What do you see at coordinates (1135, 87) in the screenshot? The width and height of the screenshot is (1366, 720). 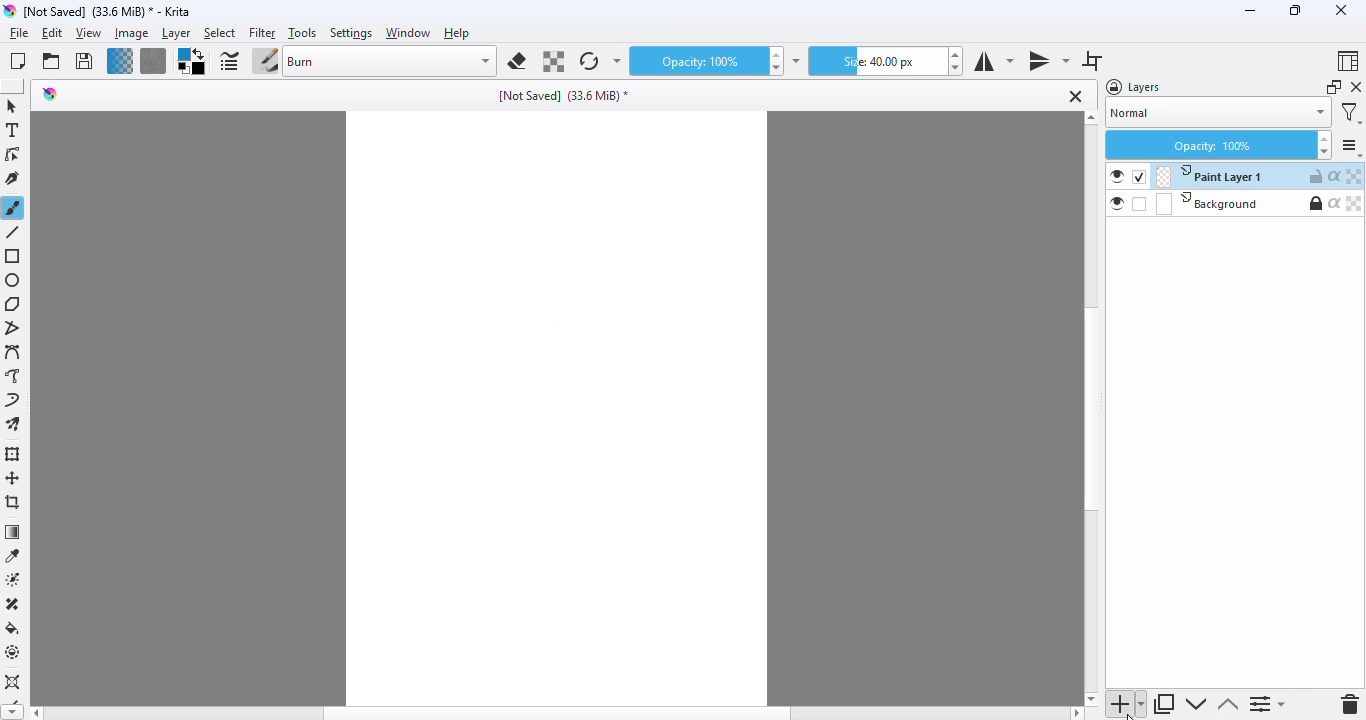 I see `layers` at bounding box center [1135, 87].